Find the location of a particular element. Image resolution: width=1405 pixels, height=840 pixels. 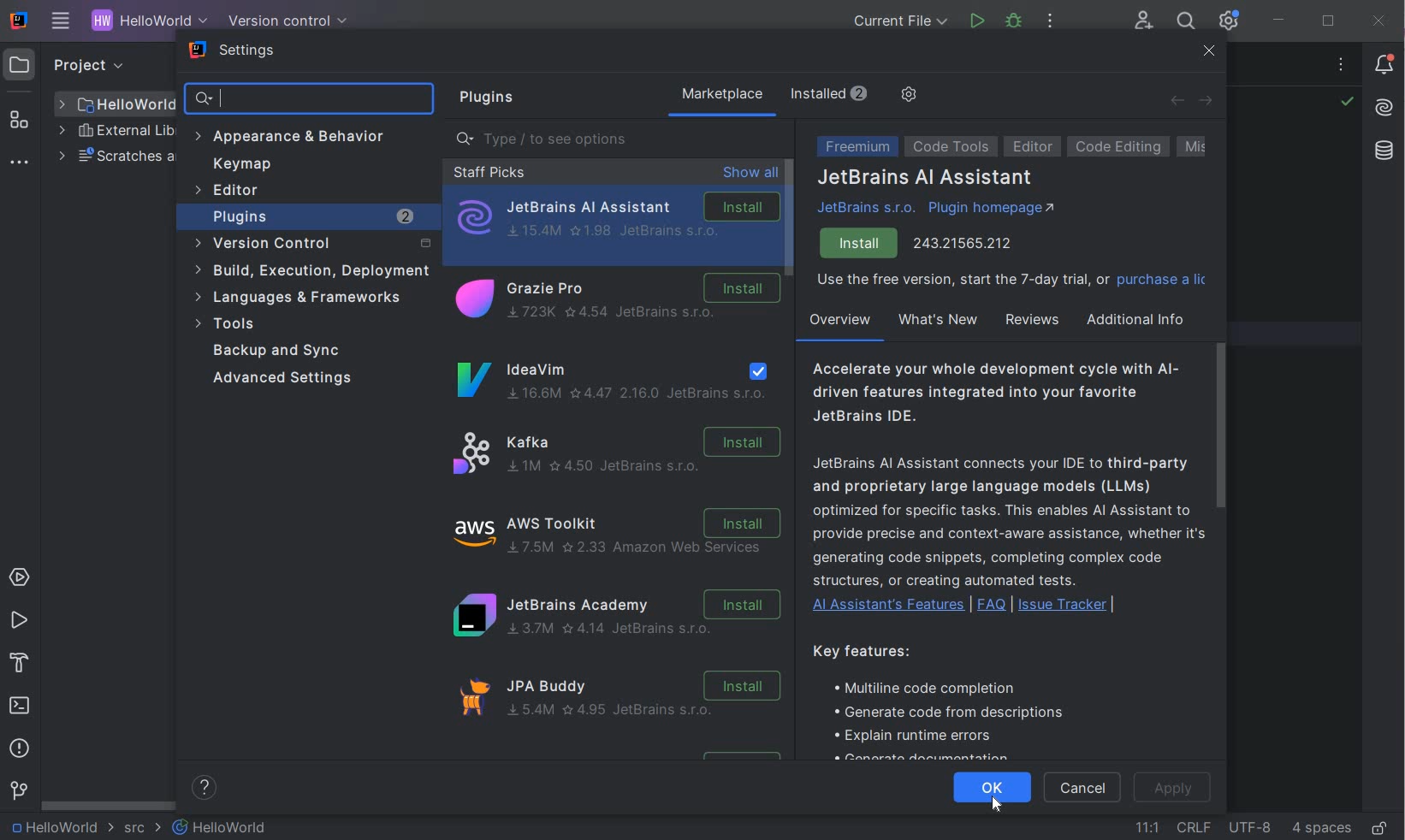

use the free version, start 7-day trial is located at coordinates (1011, 282).